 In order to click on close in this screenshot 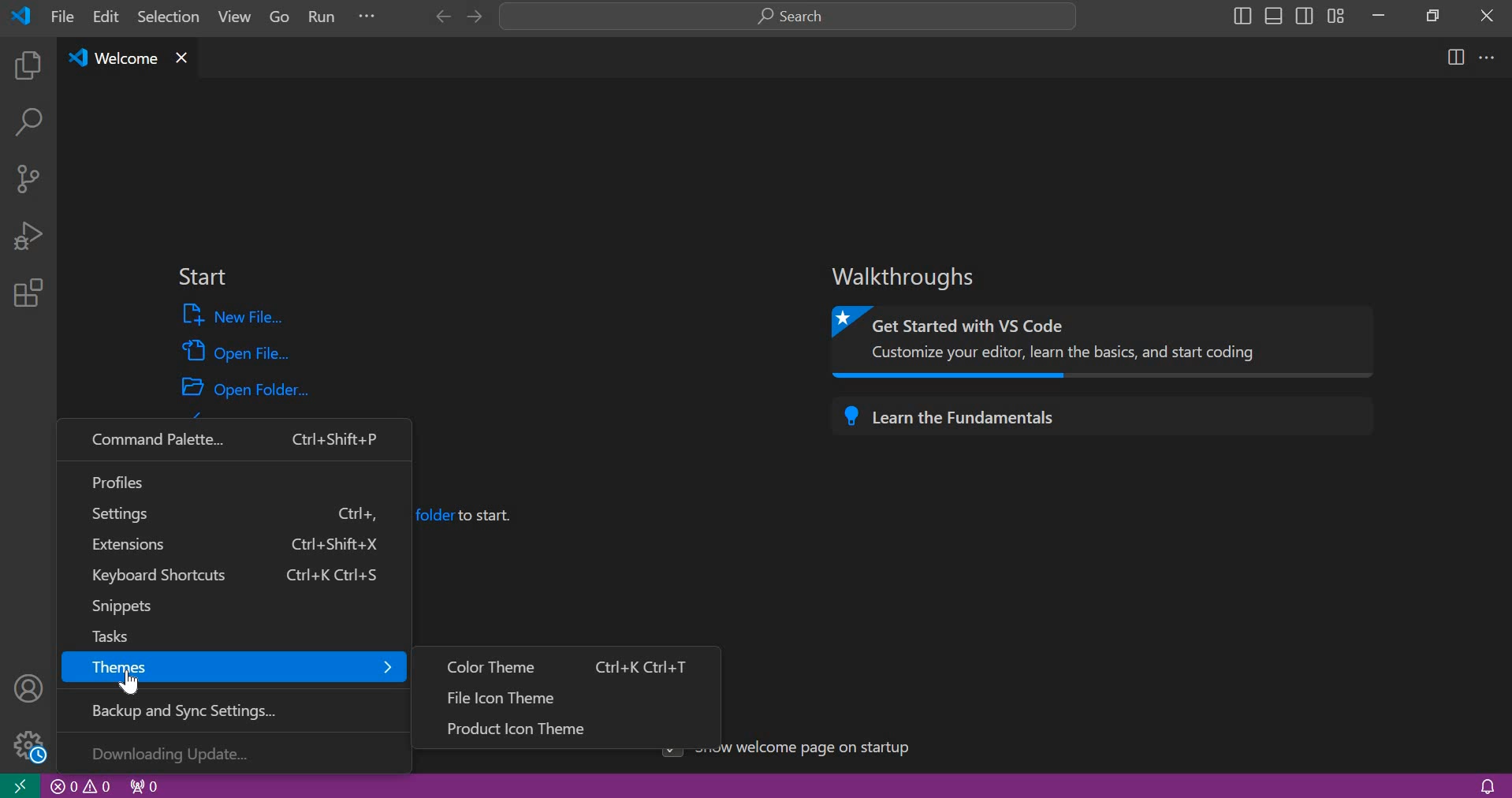, I will do `click(1488, 15)`.